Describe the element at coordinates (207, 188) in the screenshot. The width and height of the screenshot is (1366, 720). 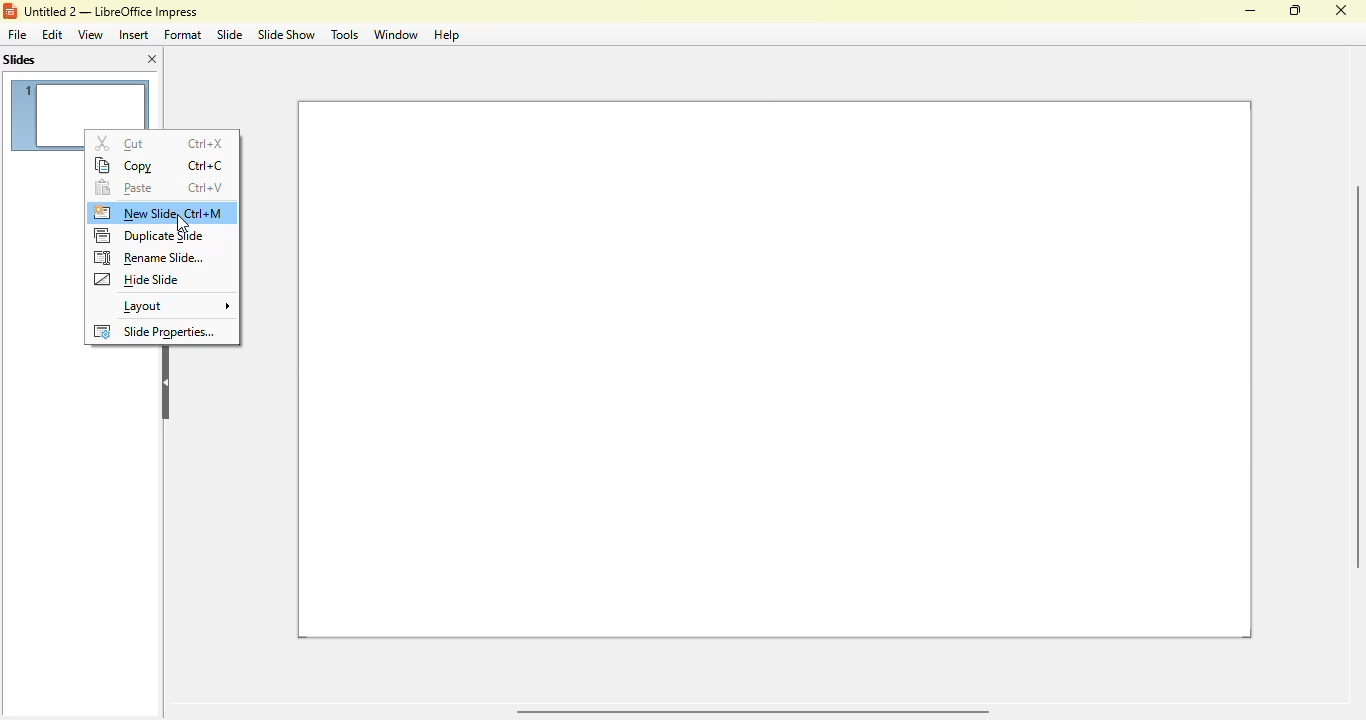
I see `shortcut for paste` at that location.